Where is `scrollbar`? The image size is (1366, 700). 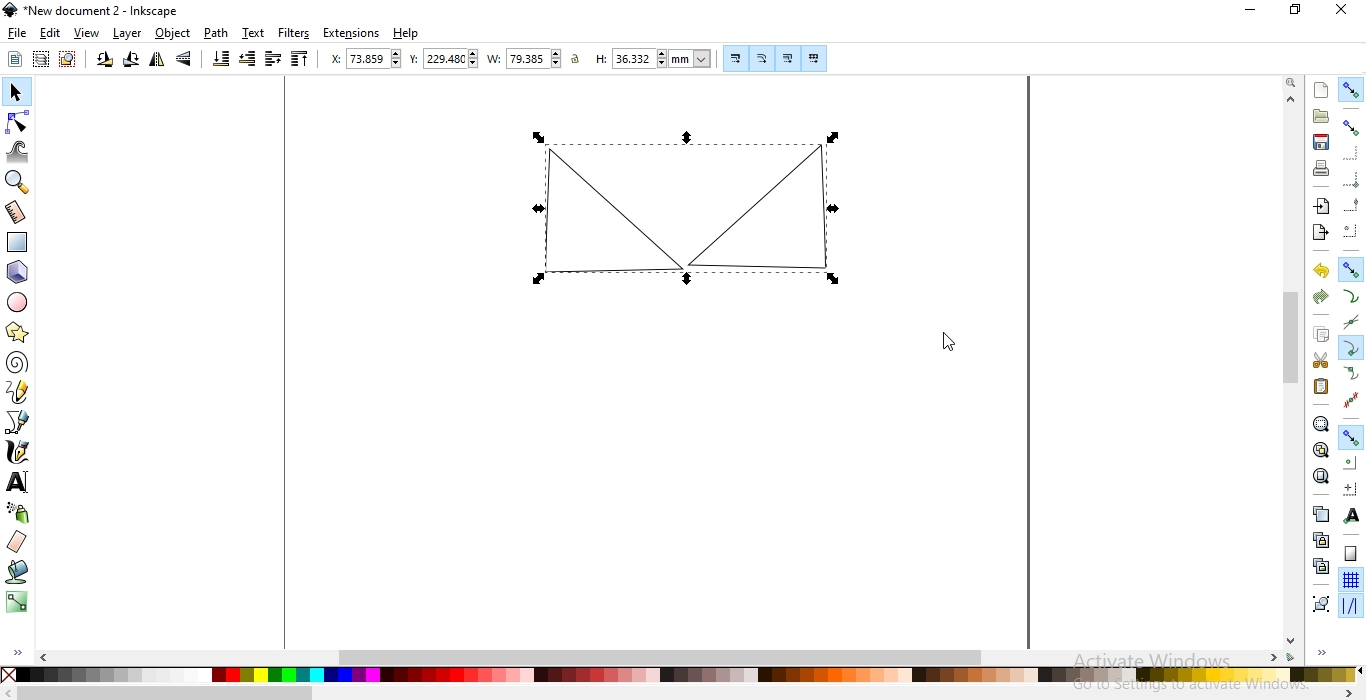
scrollbar is located at coordinates (157, 693).